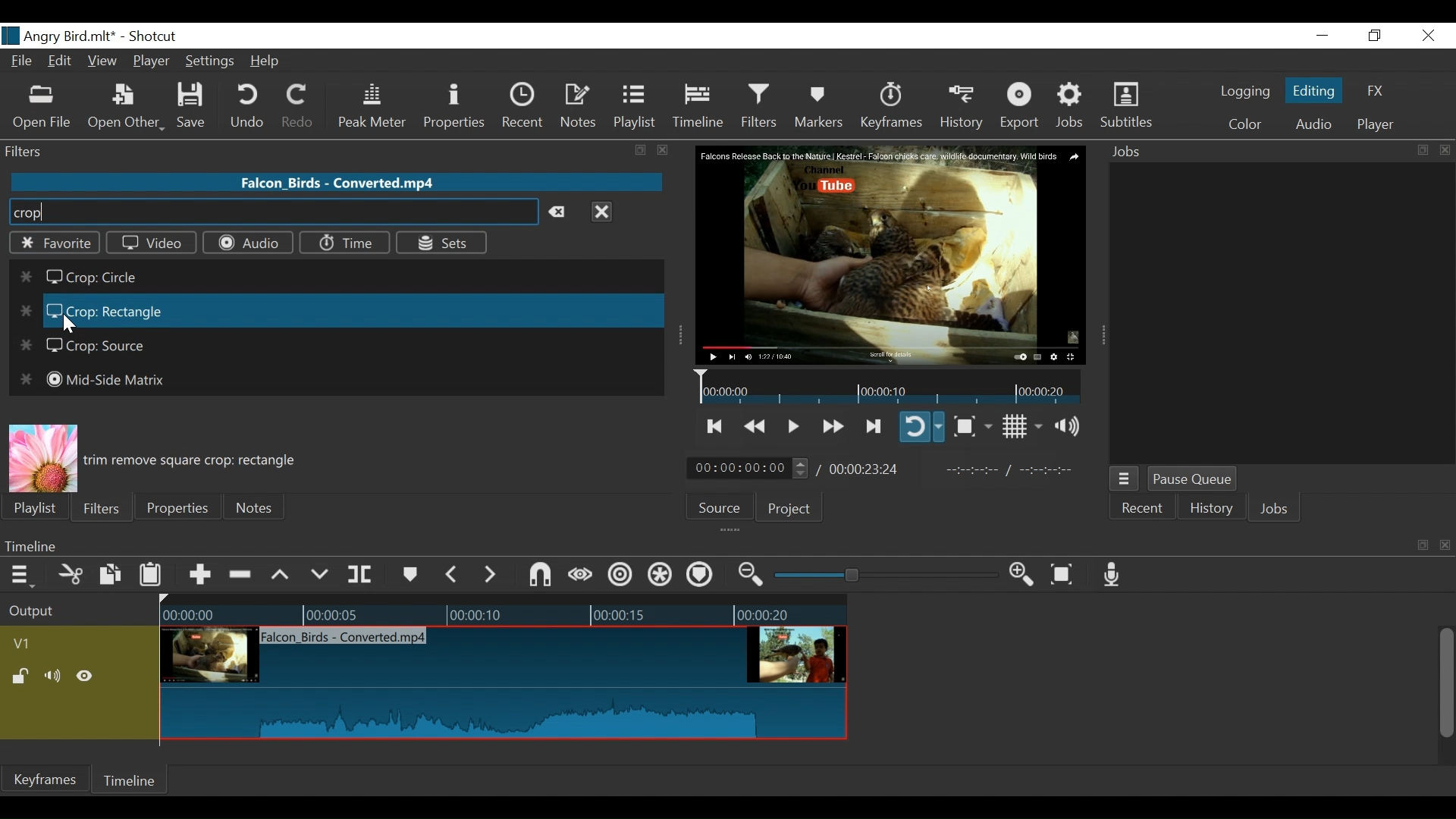 The image size is (1456, 819). Describe the element at coordinates (1322, 36) in the screenshot. I see `minimize` at that location.